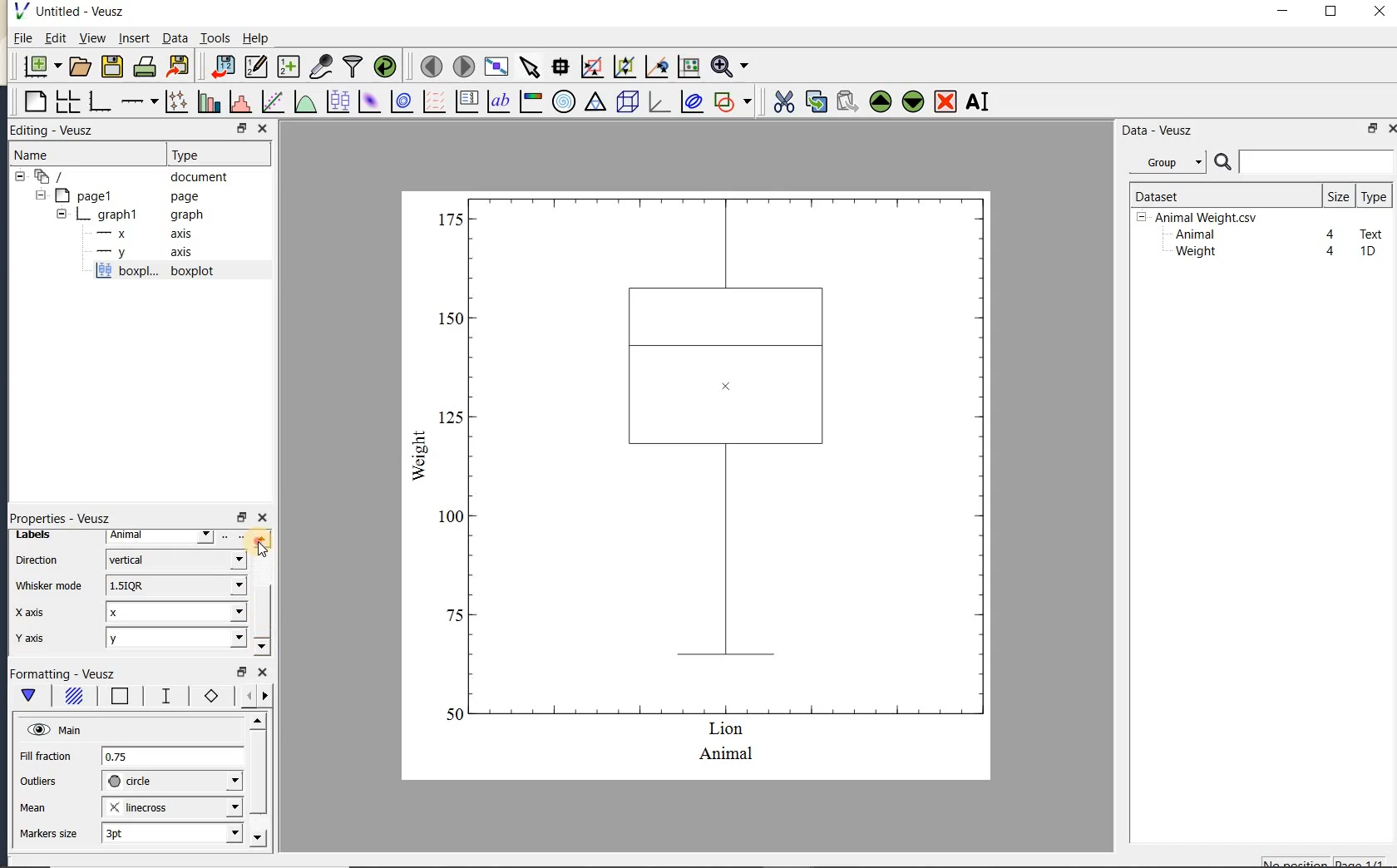 The height and width of the screenshot is (868, 1397). What do you see at coordinates (51, 834) in the screenshot?
I see `markers size` at bounding box center [51, 834].